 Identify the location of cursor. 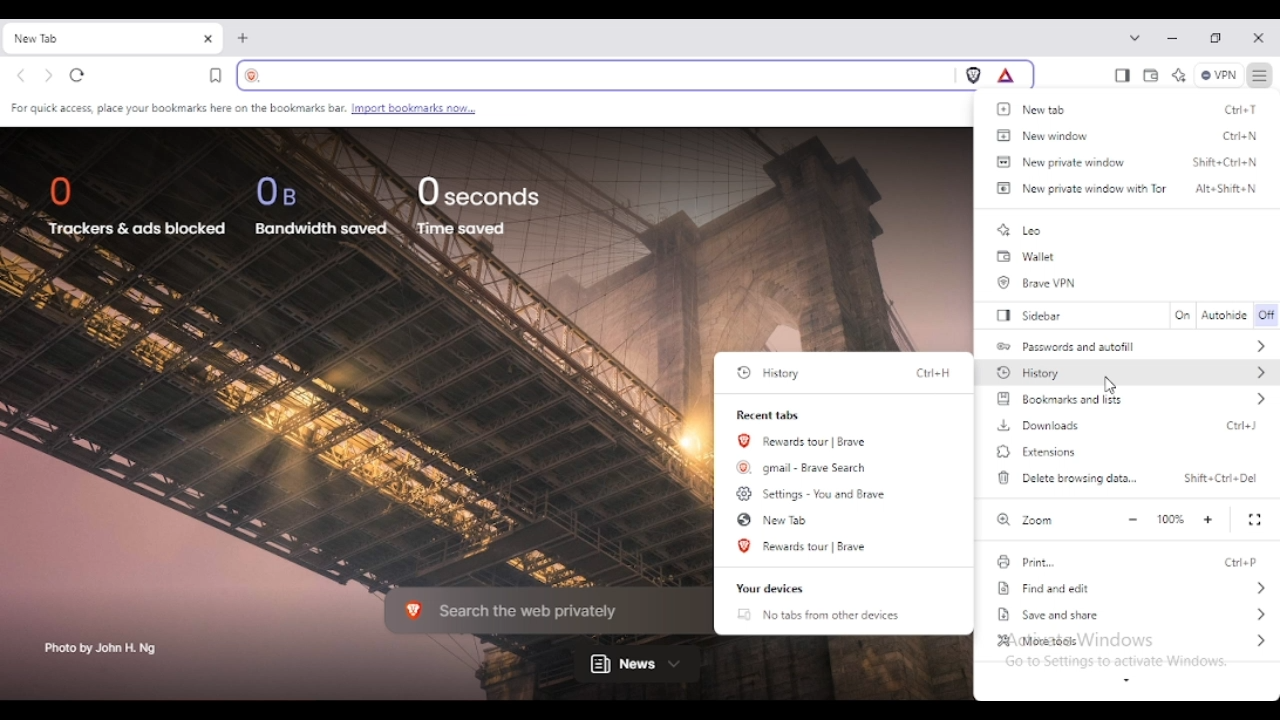
(1110, 384).